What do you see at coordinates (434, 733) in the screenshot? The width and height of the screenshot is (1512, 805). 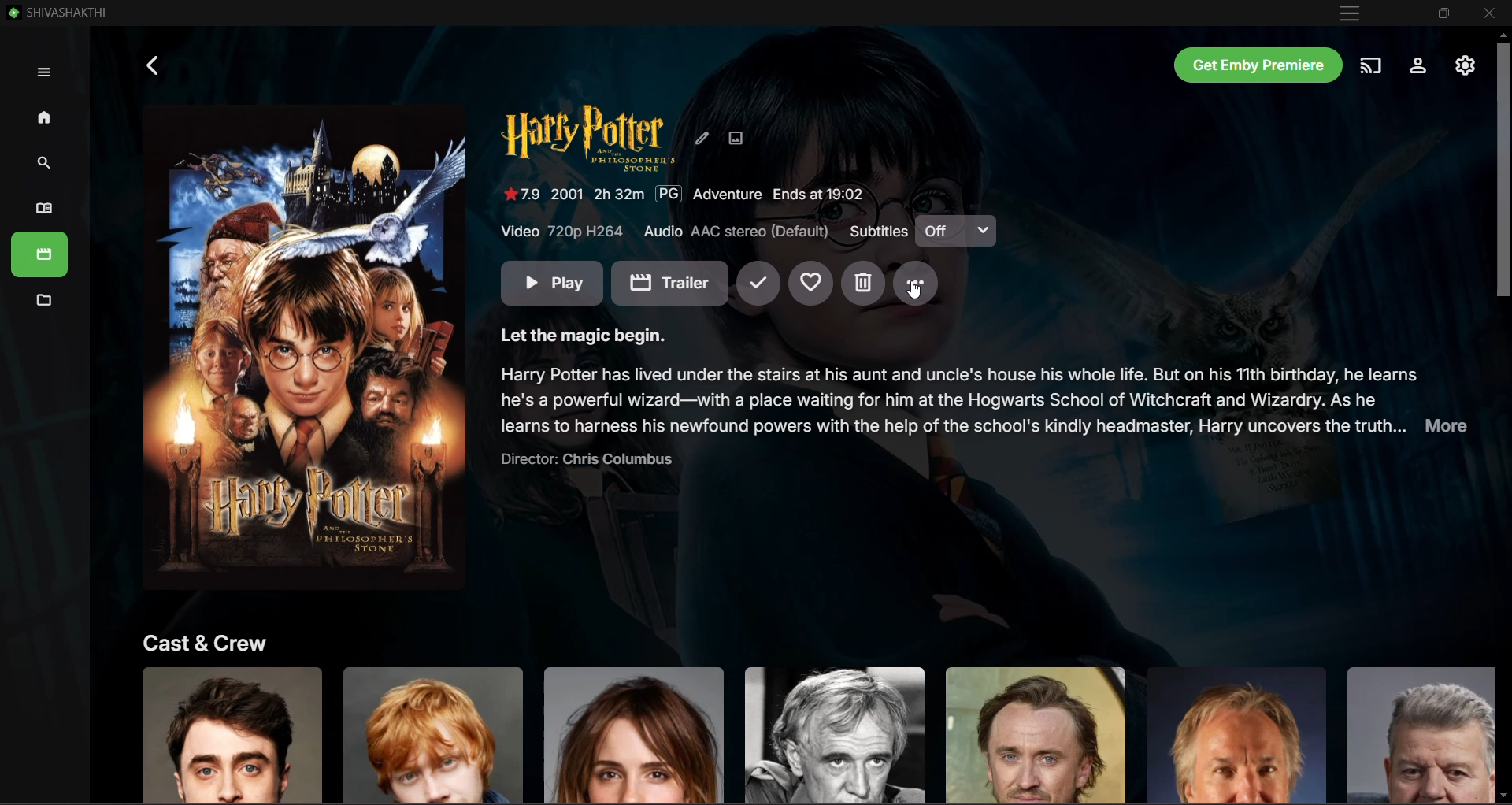 I see `Click to know more about actor` at bounding box center [434, 733].